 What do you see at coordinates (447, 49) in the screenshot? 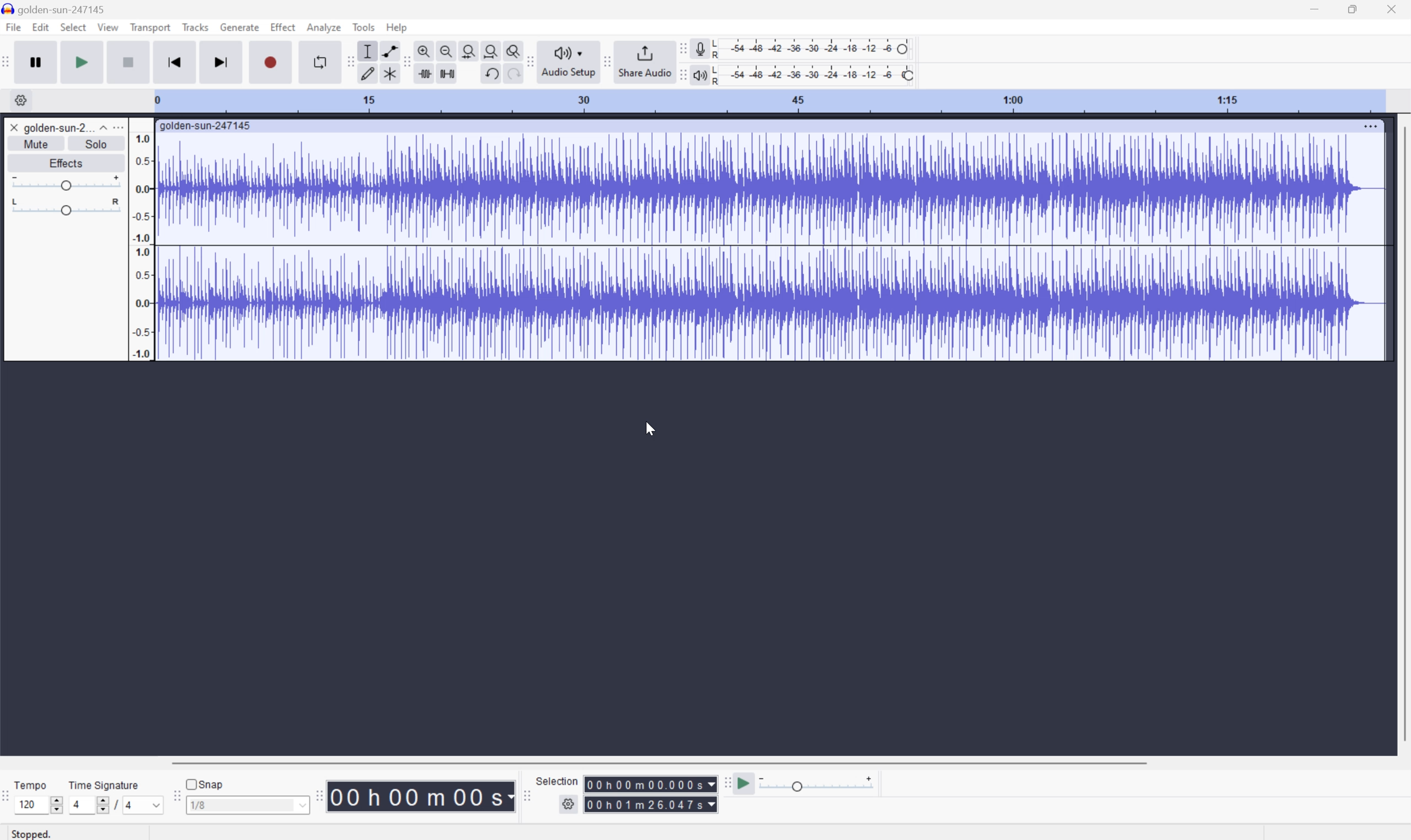
I see `Zoom out` at bounding box center [447, 49].